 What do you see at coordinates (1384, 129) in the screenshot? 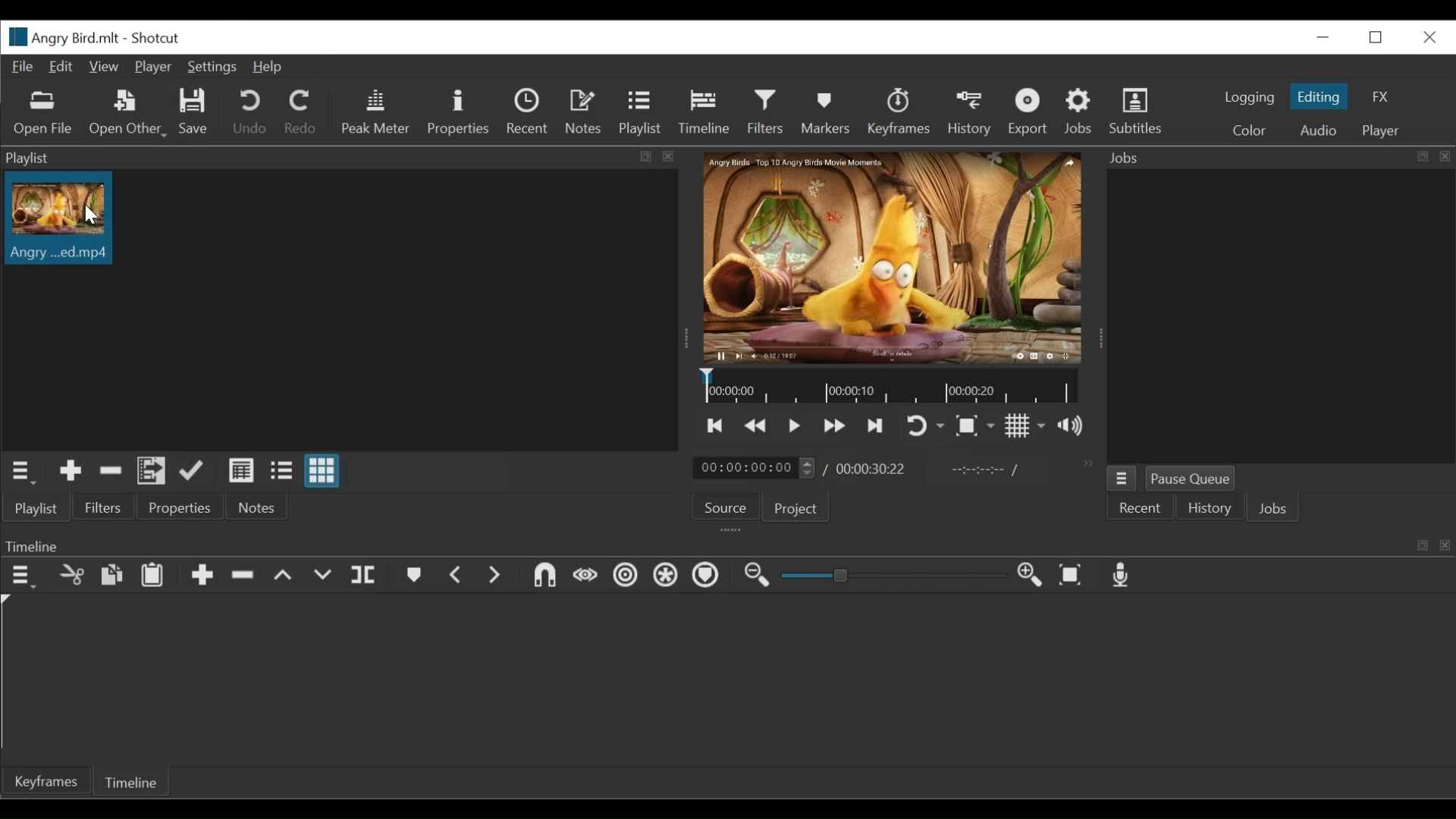
I see `Player` at bounding box center [1384, 129].